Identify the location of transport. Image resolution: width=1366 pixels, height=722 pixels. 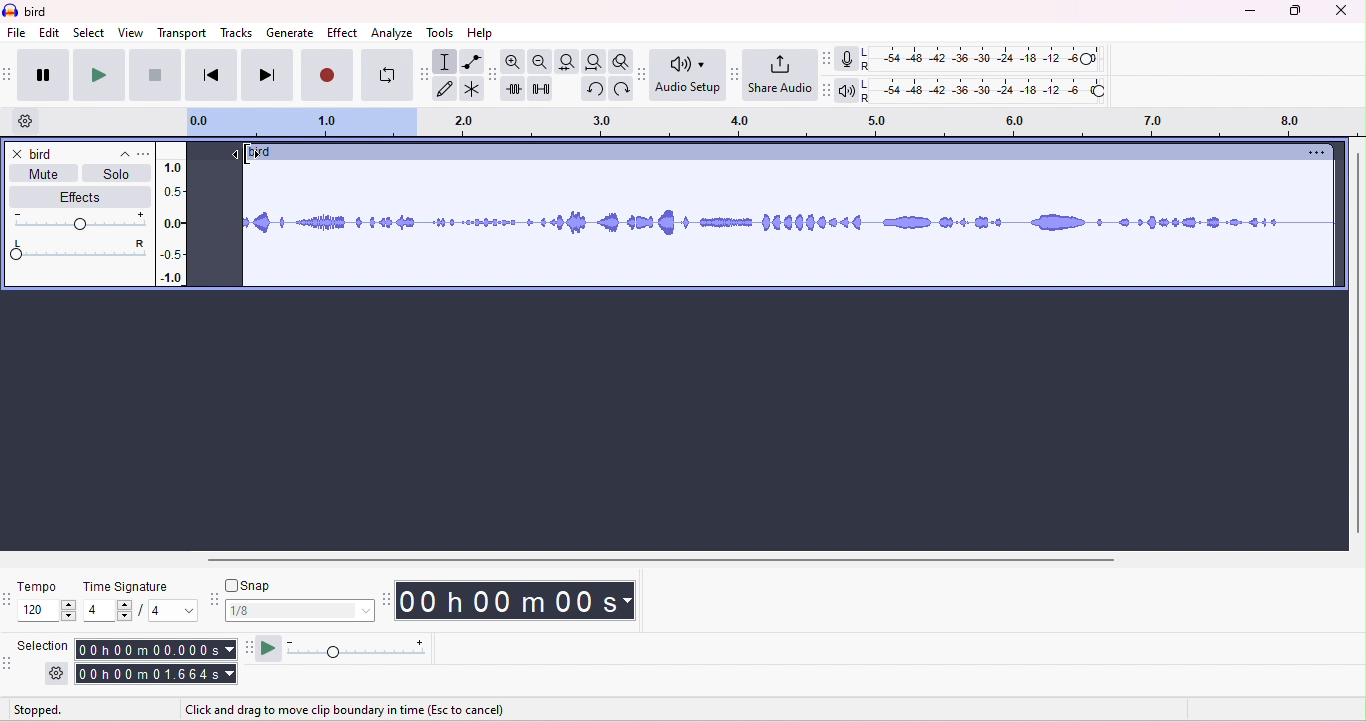
(184, 32).